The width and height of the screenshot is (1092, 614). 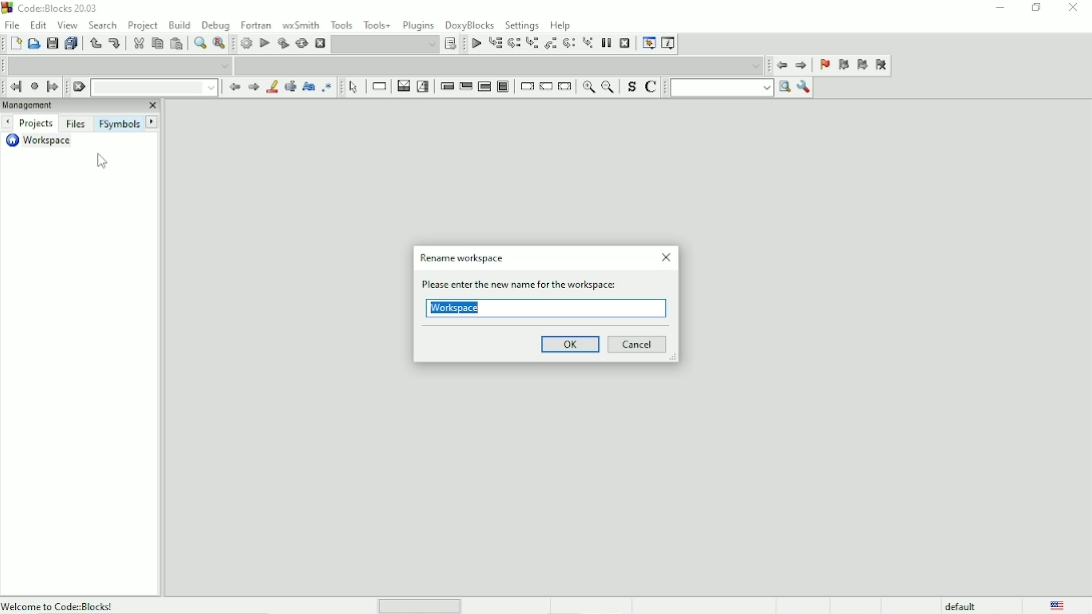 What do you see at coordinates (235, 88) in the screenshot?
I see `Prev` at bounding box center [235, 88].